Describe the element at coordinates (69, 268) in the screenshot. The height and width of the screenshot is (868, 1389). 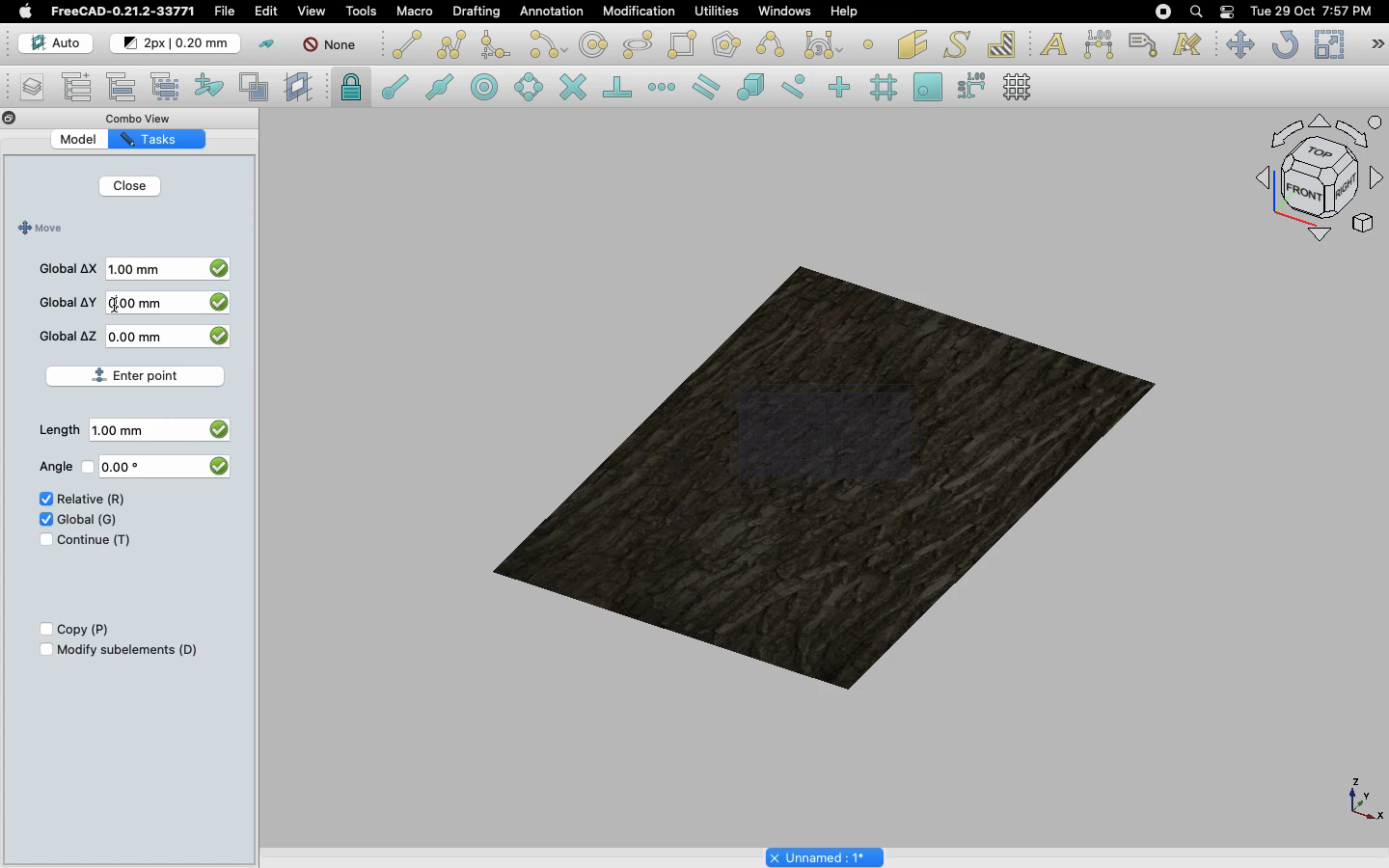
I see `Global X` at that location.